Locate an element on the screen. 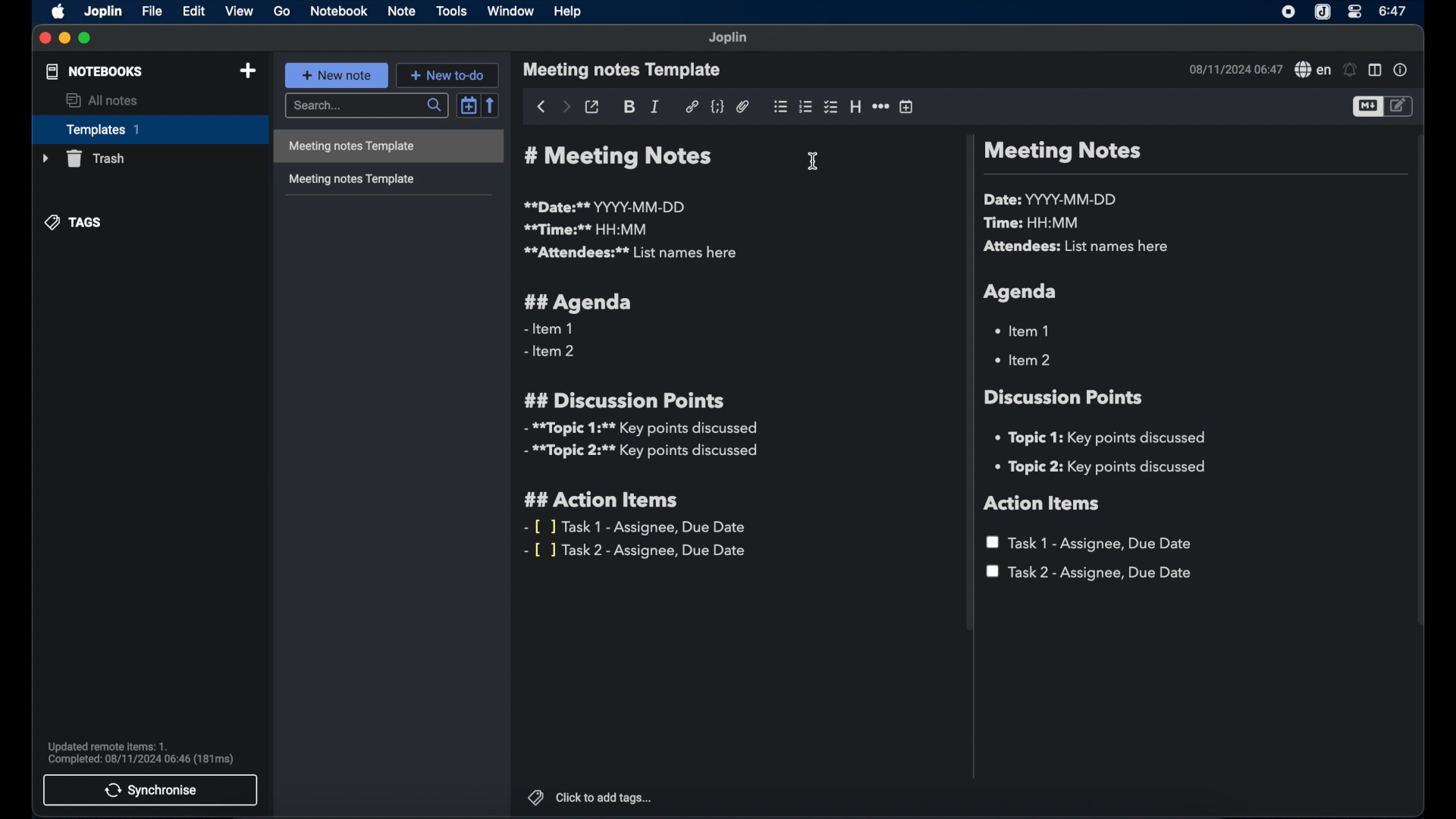 This screenshot has width=1456, height=819. new to-do is located at coordinates (450, 74).